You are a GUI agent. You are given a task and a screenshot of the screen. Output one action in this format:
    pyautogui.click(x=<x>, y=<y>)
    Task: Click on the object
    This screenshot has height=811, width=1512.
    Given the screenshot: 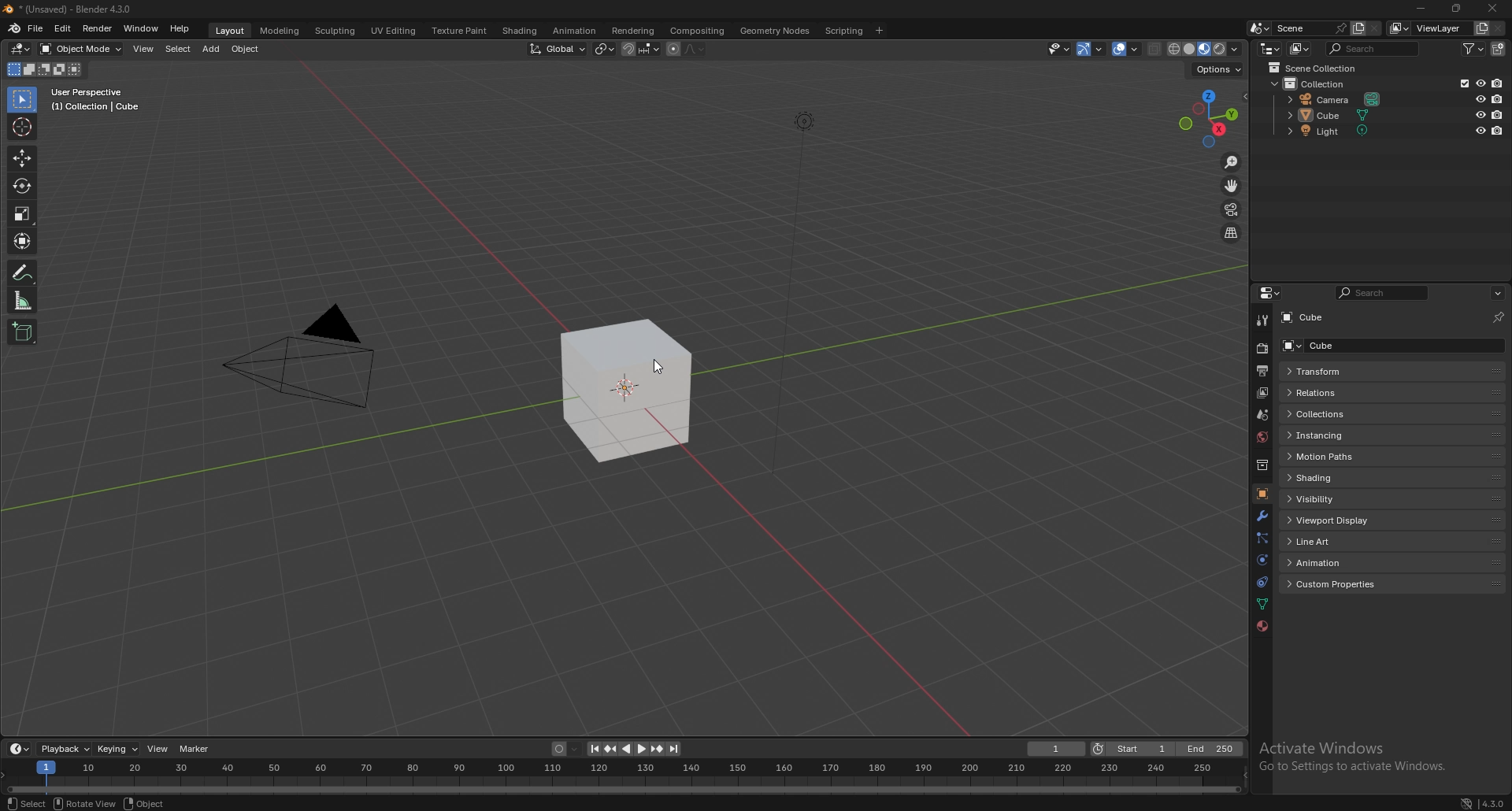 What is the action you would take?
    pyautogui.click(x=1264, y=492)
    